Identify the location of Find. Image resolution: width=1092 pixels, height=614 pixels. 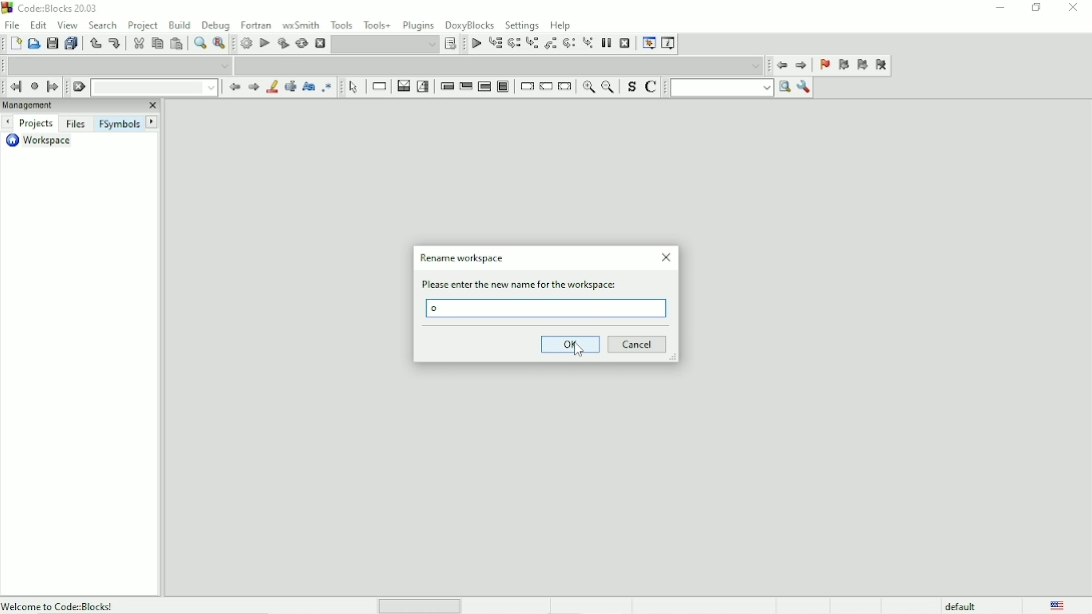
(198, 44).